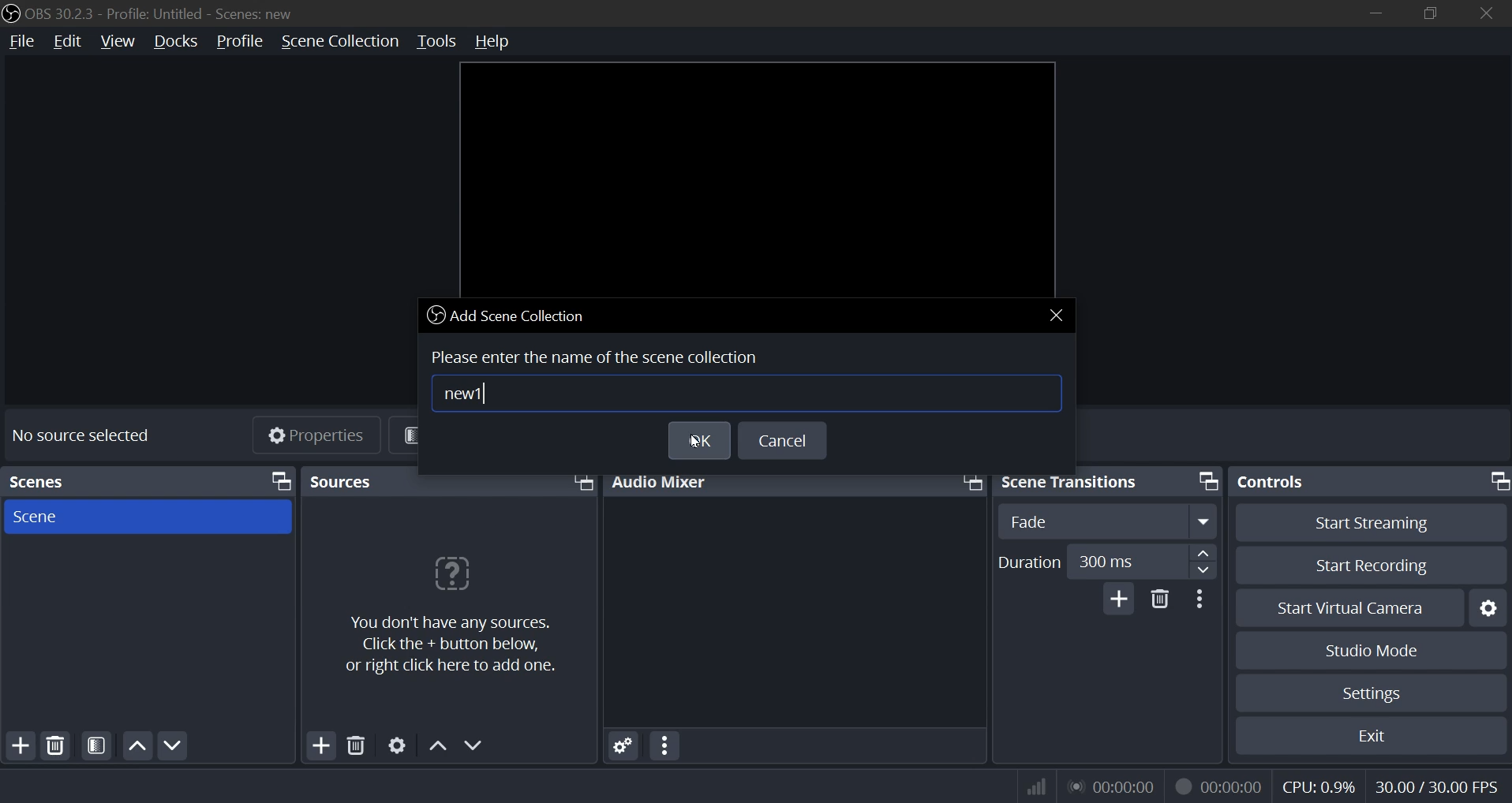 The height and width of the screenshot is (803, 1512). I want to click on up, so click(1202, 552).